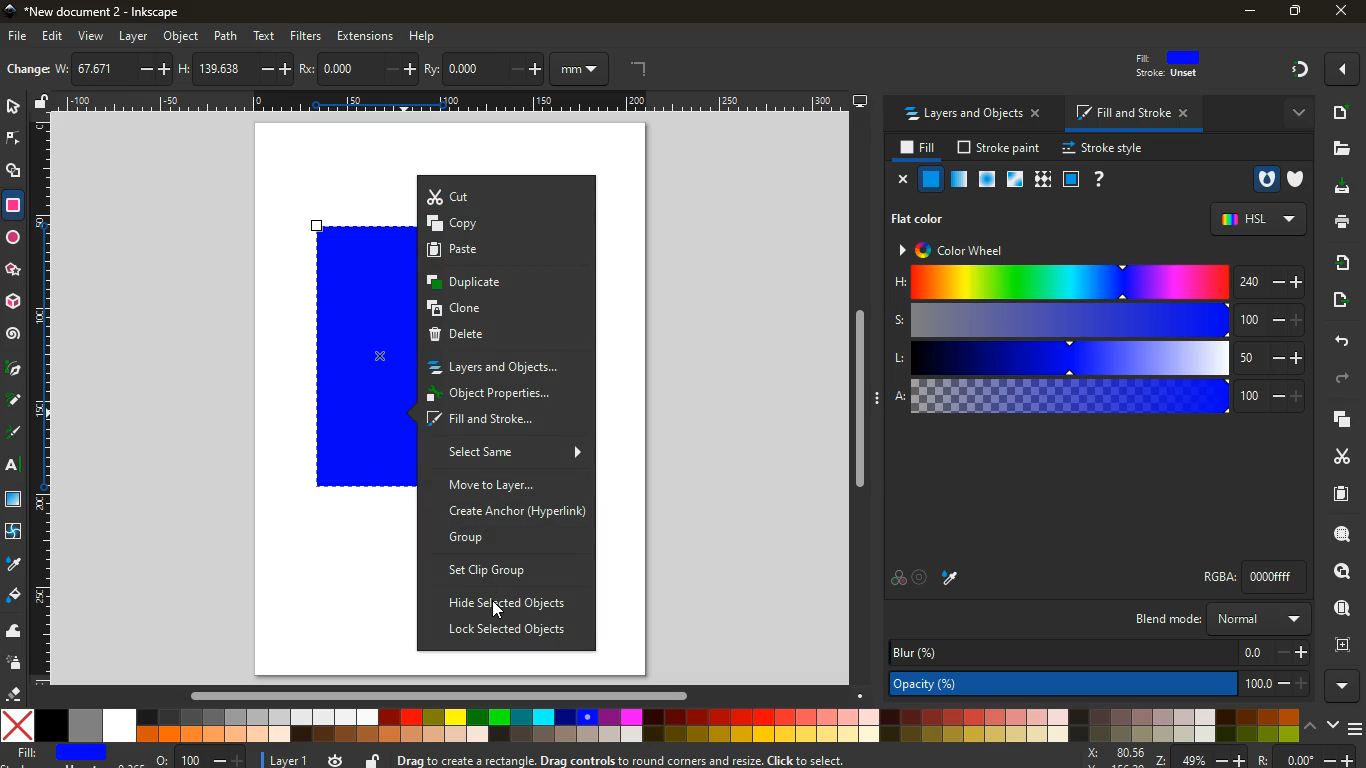 This screenshot has width=1366, height=768. Describe the element at coordinates (133, 37) in the screenshot. I see `layer` at that location.